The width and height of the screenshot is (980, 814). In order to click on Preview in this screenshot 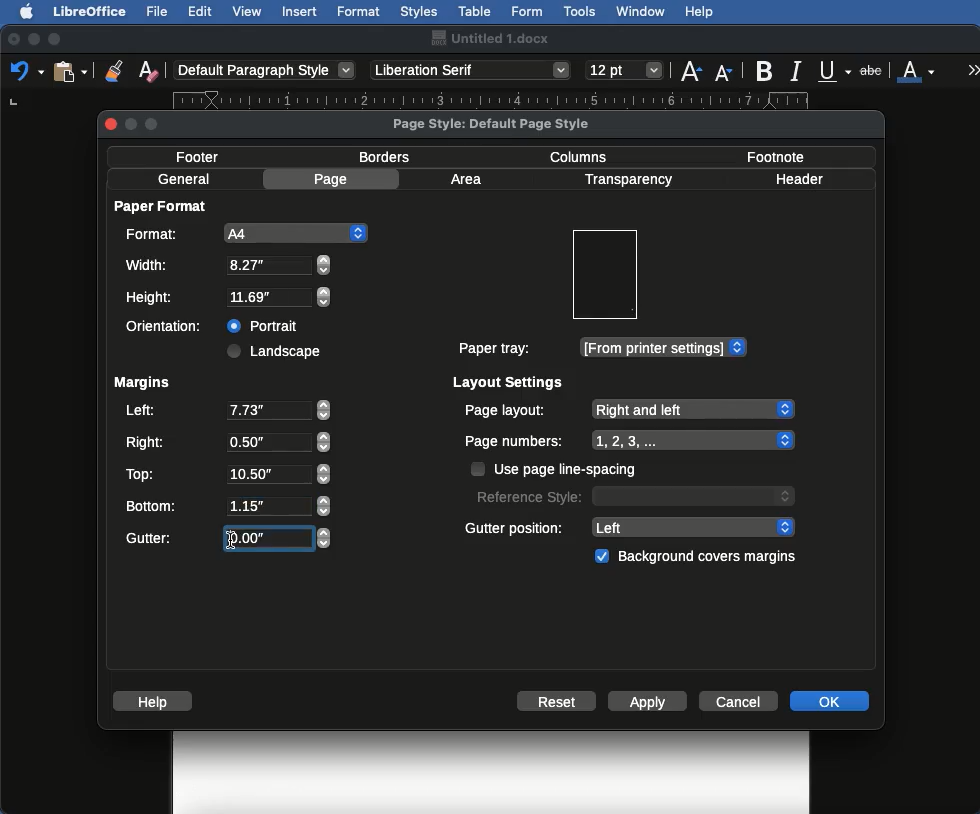, I will do `click(604, 275)`.